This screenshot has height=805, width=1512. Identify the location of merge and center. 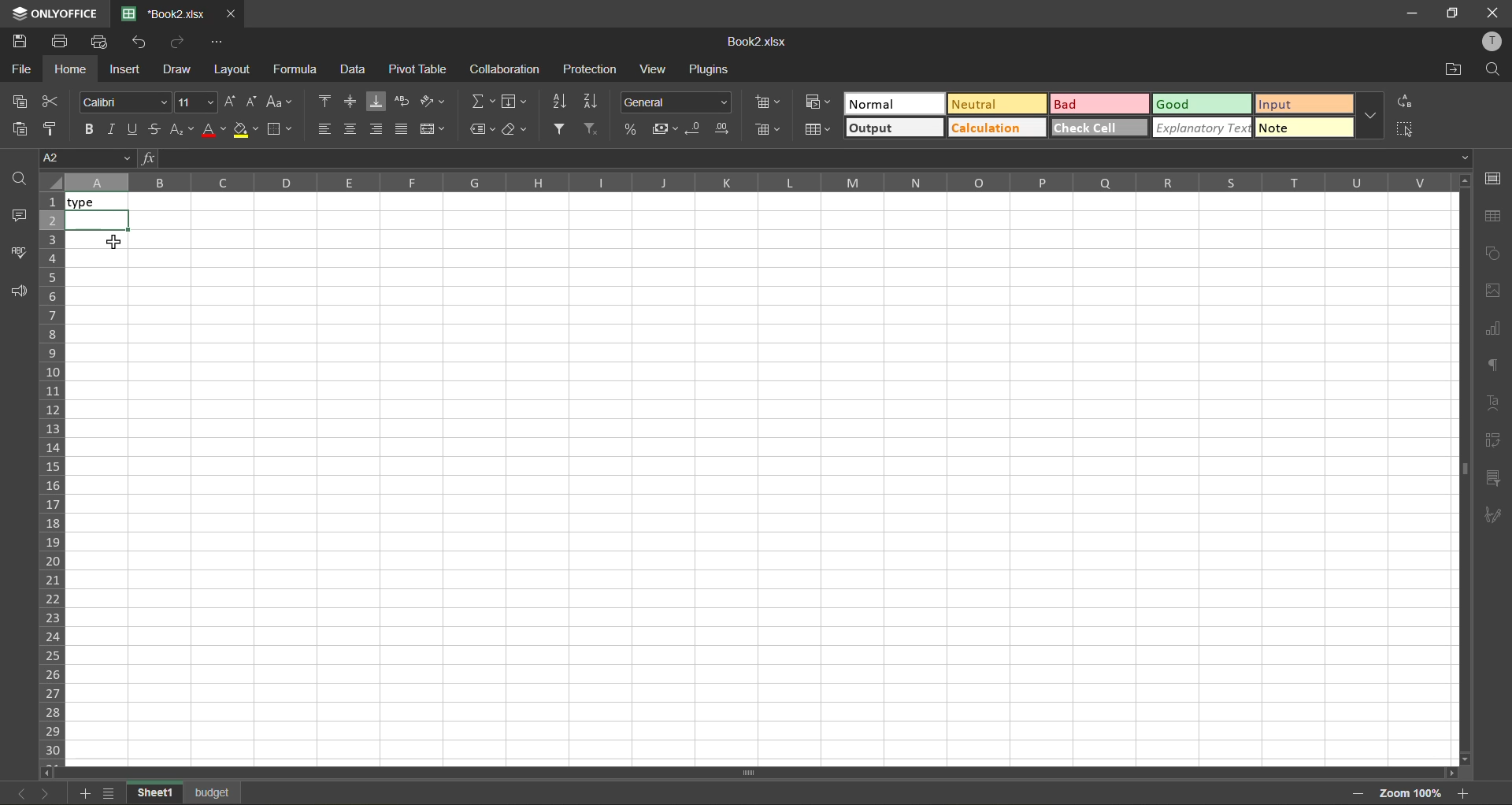
(433, 129).